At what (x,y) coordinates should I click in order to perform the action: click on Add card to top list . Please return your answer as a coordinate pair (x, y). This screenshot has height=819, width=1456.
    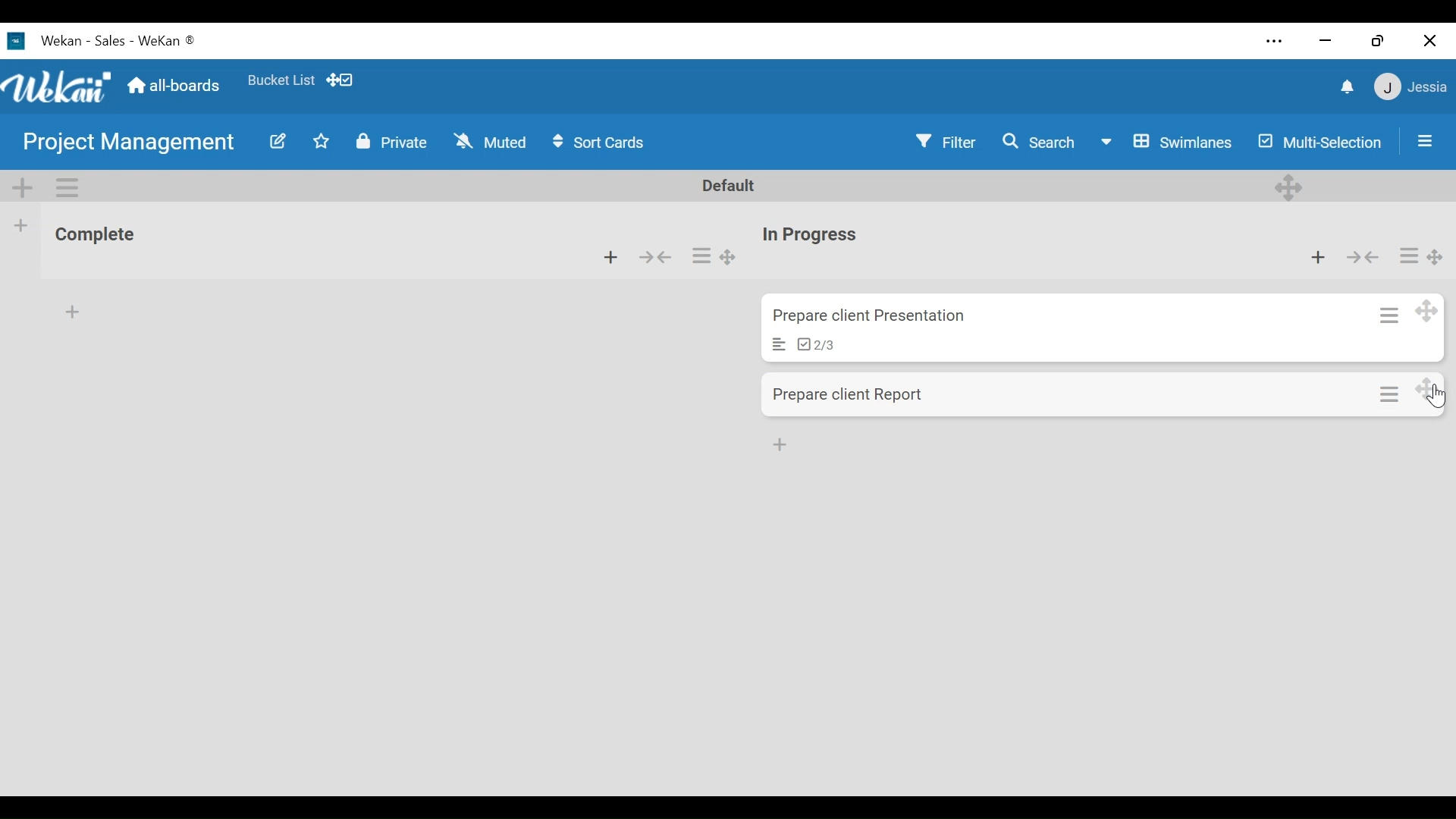
    Looking at the image, I should click on (1318, 259).